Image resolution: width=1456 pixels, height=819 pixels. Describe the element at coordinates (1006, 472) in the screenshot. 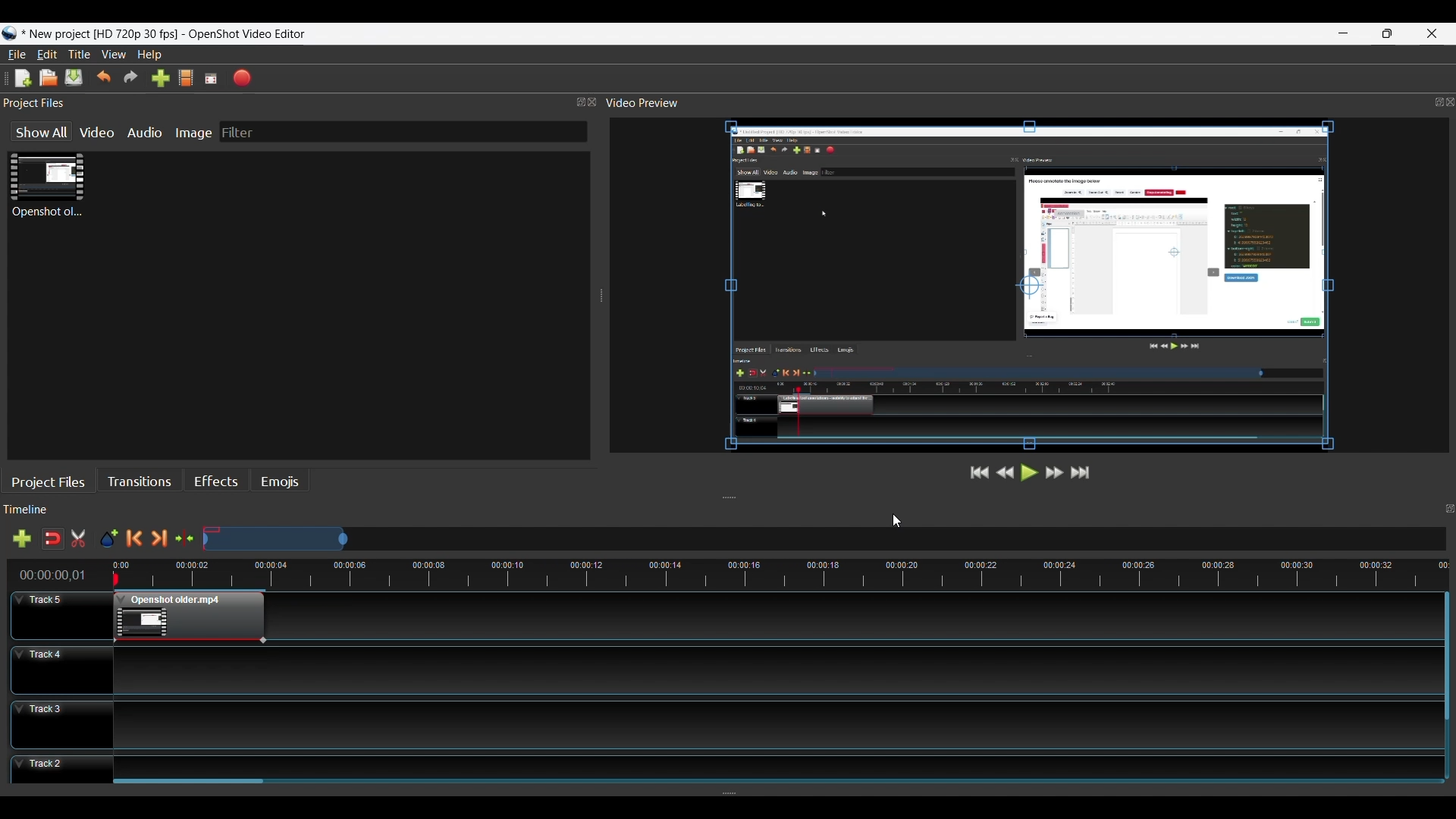

I see `Rewind` at that location.